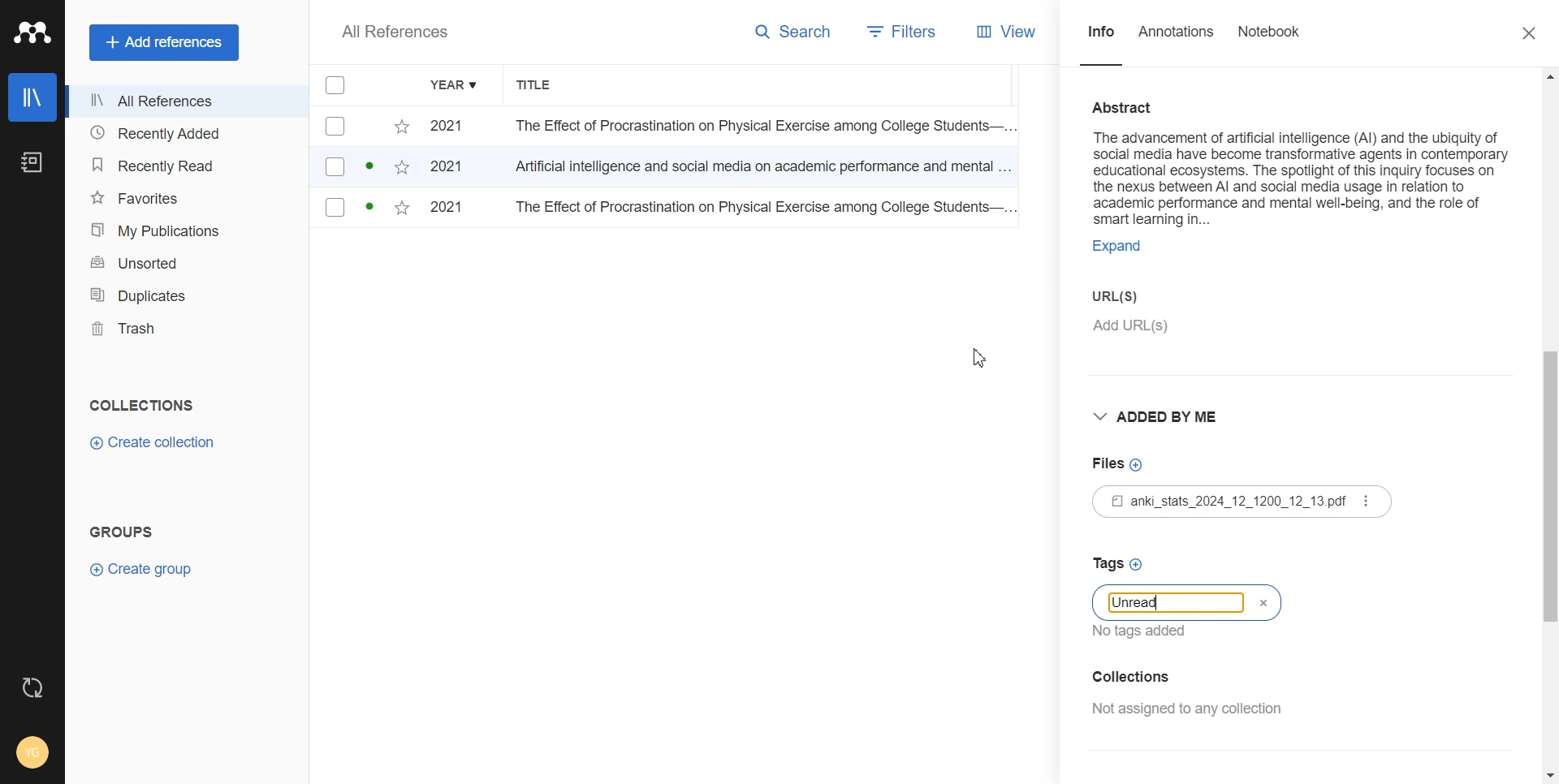 Image resolution: width=1559 pixels, height=784 pixels. Describe the element at coordinates (185, 197) in the screenshot. I see `Favorites` at that location.